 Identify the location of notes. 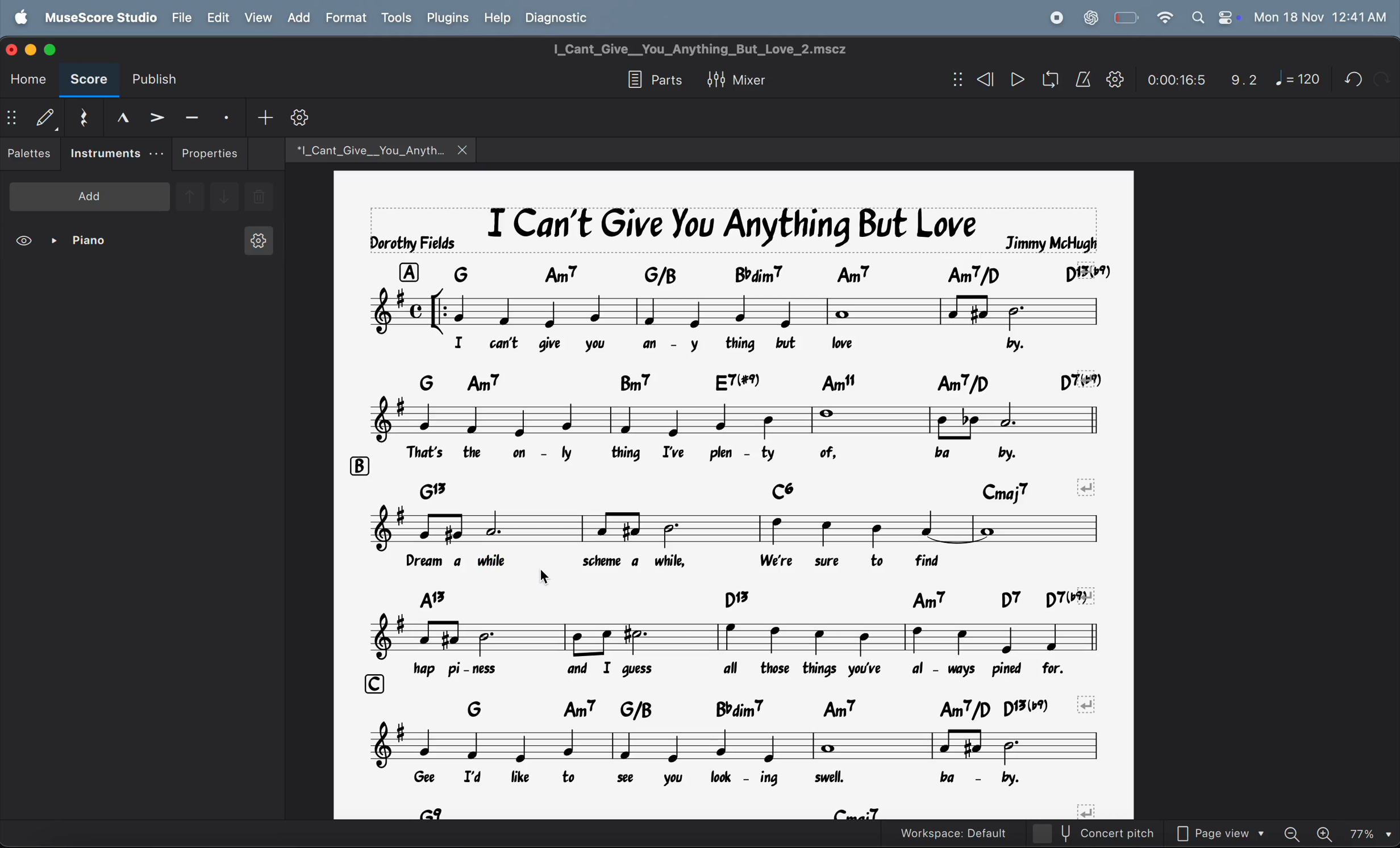
(720, 419).